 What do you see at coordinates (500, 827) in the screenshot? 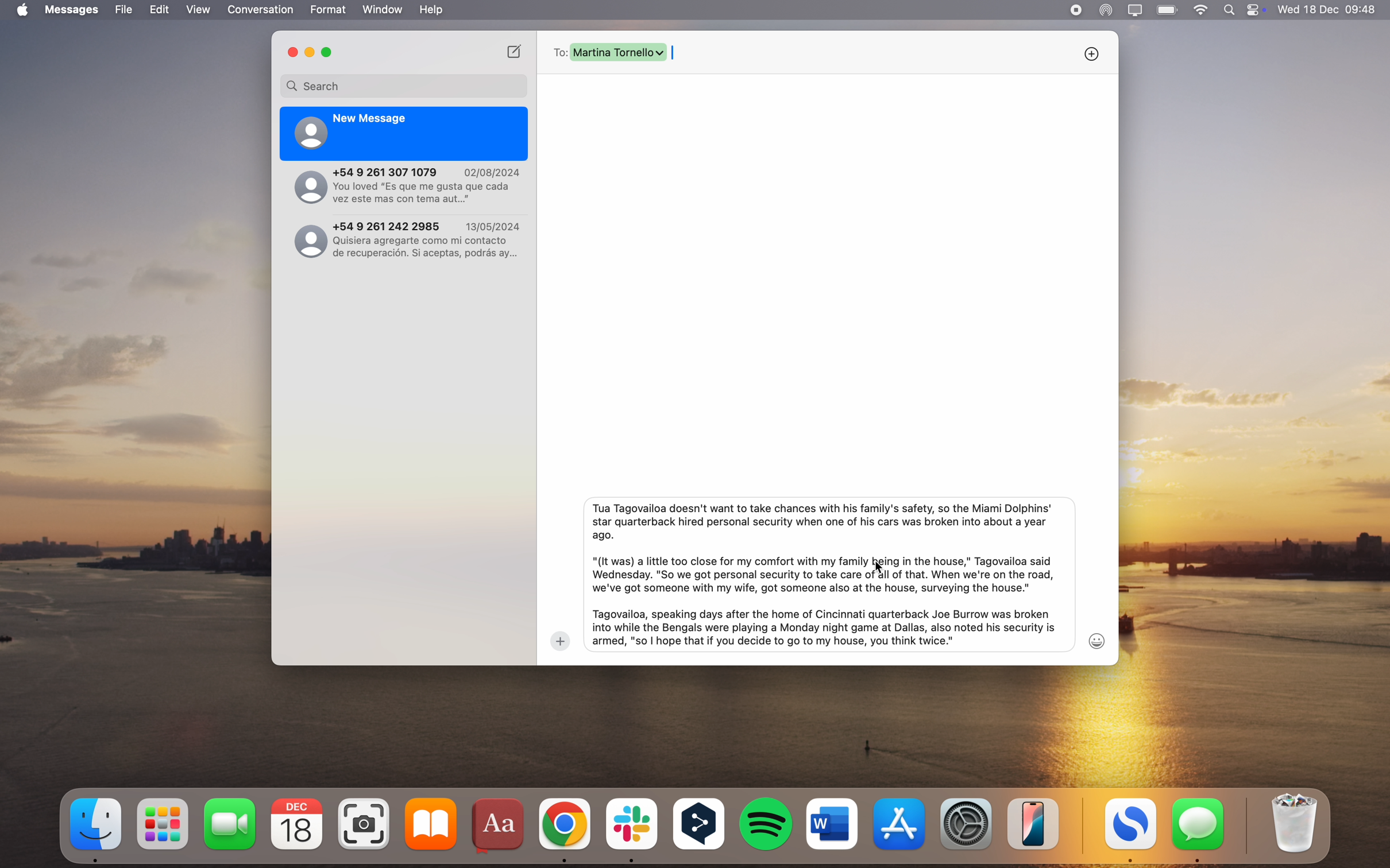
I see `dictonary` at bounding box center [500, 827].